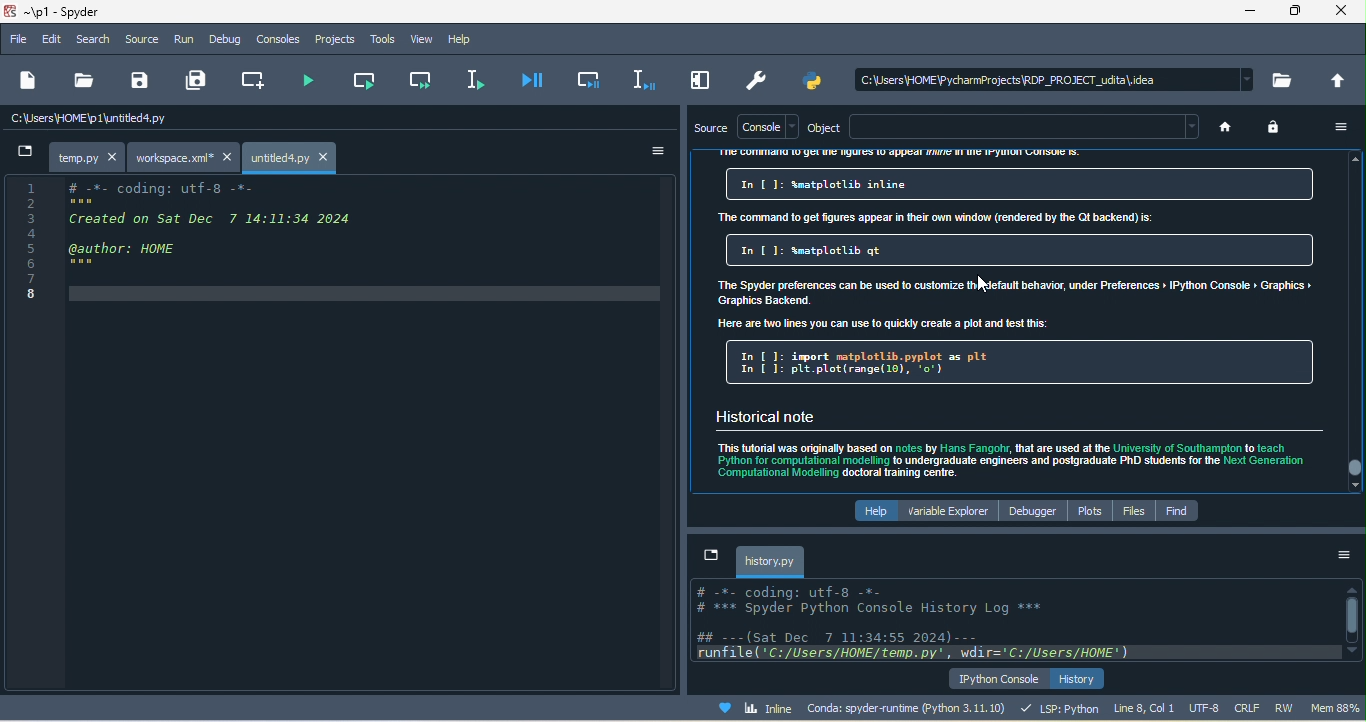  Describe the element at coordinates (820, 126) in the screenshot. I see `object` at that location.